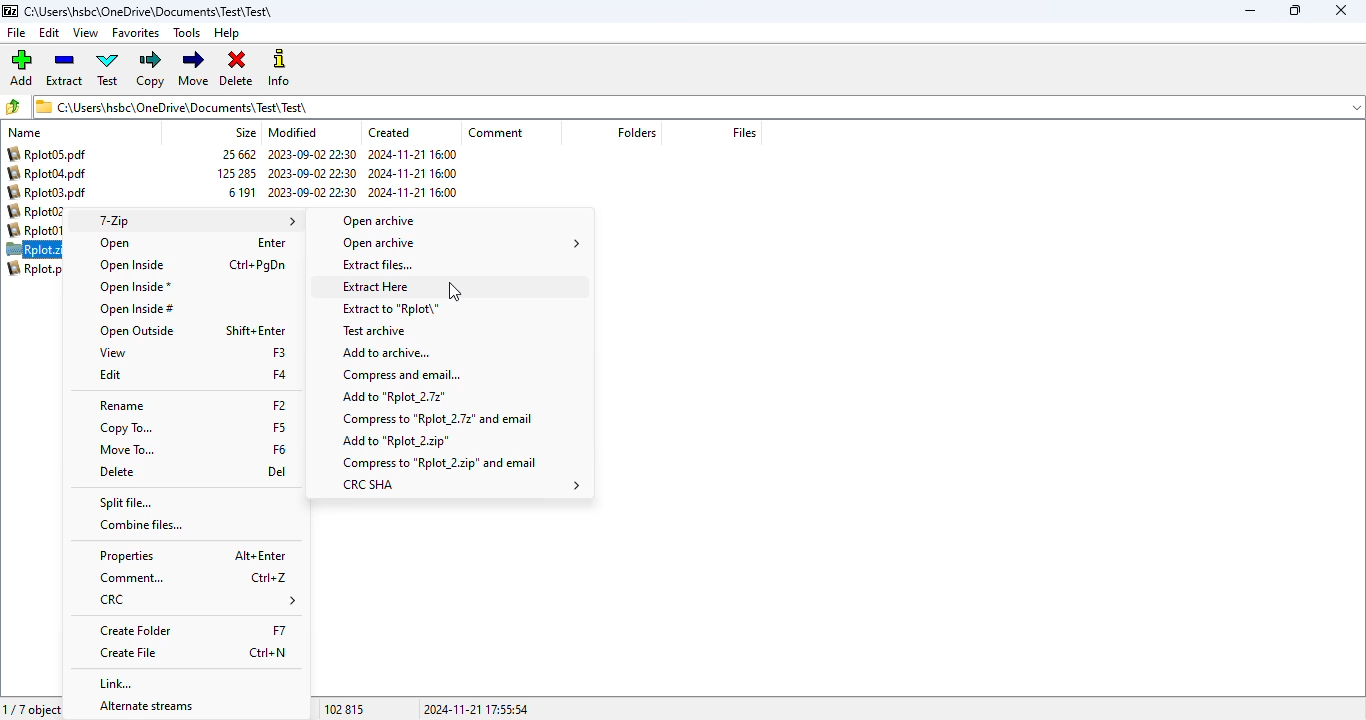 The image size is (1366, 720). I want to click on close, so click(1340, 10).